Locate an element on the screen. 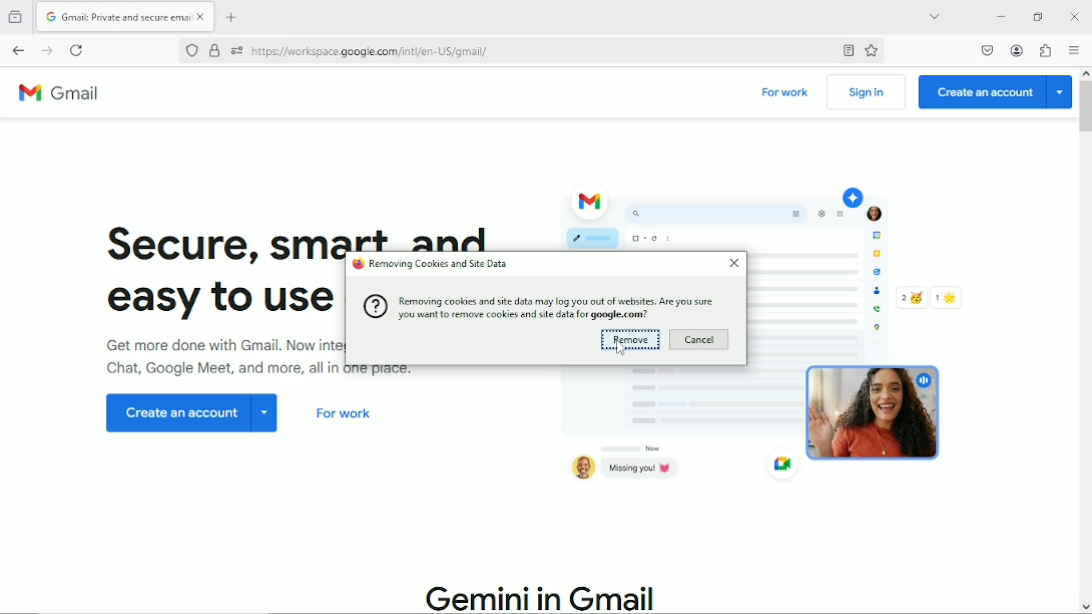 The width and height of the screenshot is (1092, 614). Sign in is located at coordinates (866, 93).